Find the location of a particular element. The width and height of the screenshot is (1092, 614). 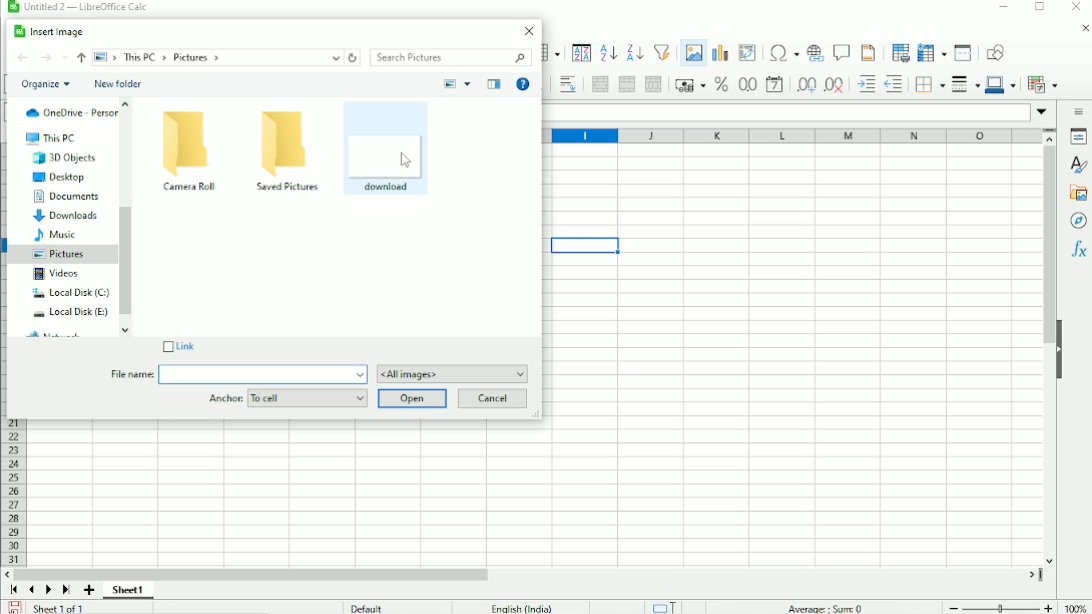

Camera Roll is located at coordinates (190, 151).